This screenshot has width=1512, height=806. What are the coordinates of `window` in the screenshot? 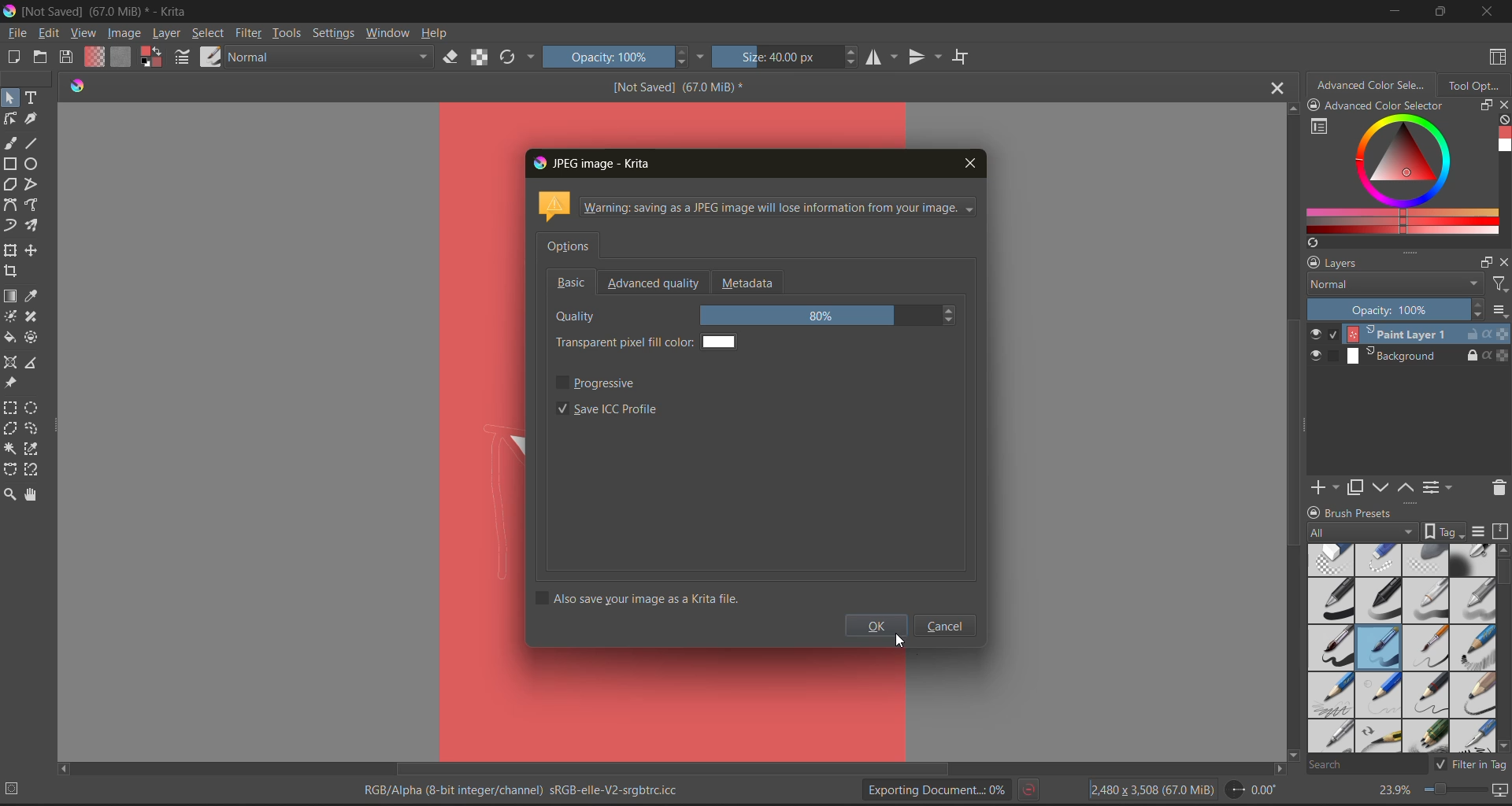 It's located at (390, 34).